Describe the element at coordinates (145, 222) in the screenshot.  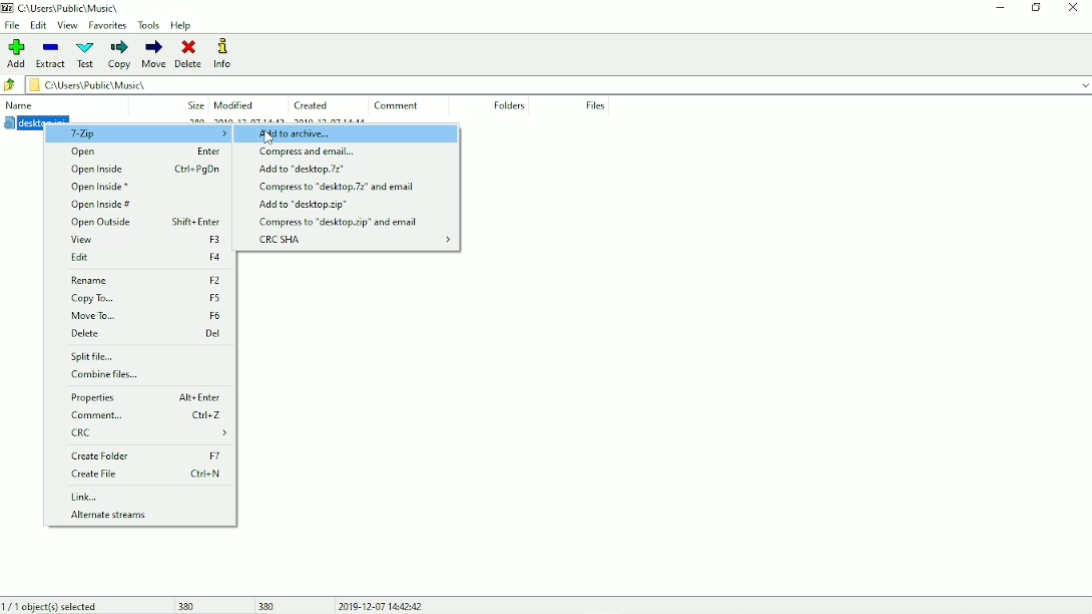
I see `Open Outside` at that location.